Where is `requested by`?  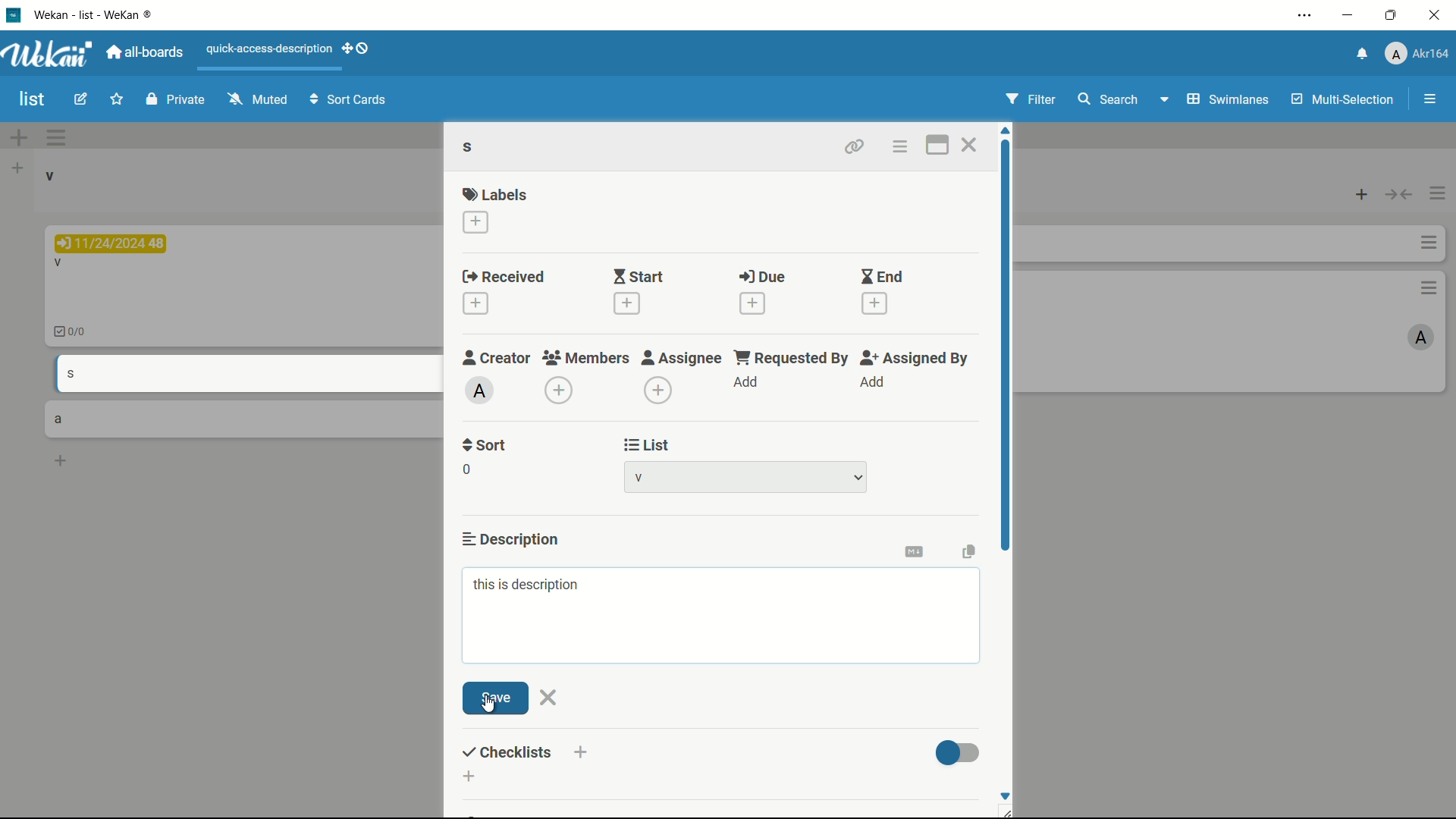 requested by is located at coordinates (793, 359).